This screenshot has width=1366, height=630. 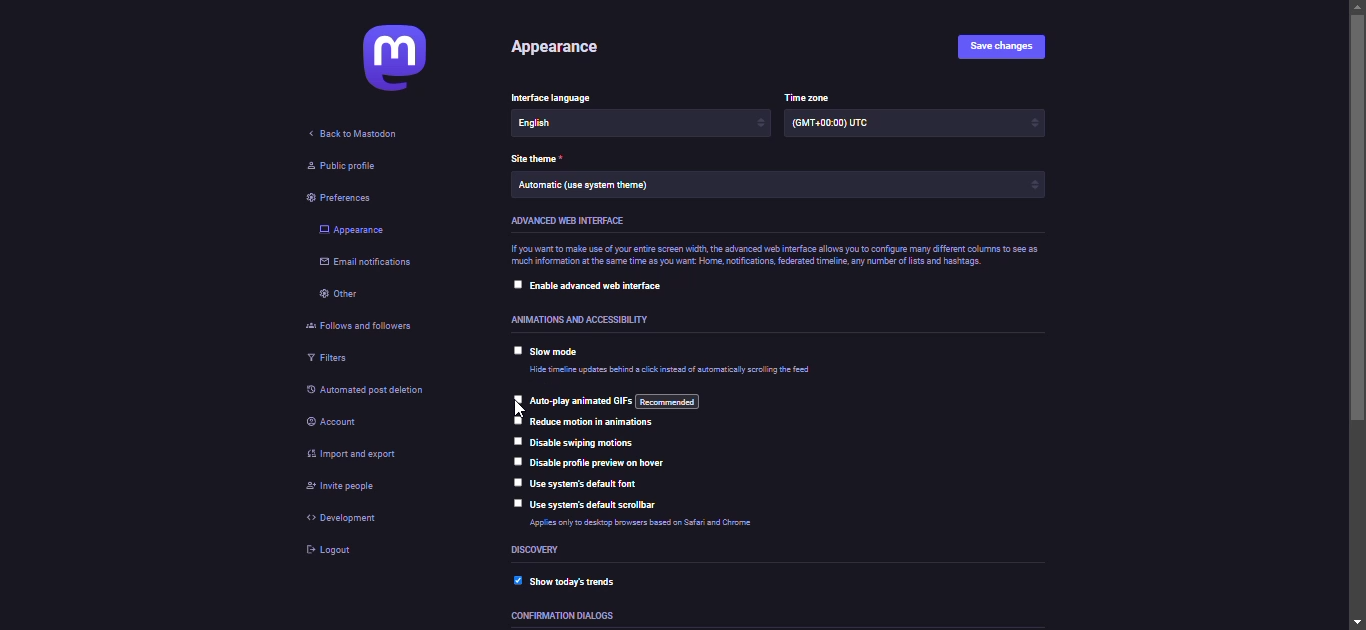 I want to click on click to select, so click(x=515, y=438).